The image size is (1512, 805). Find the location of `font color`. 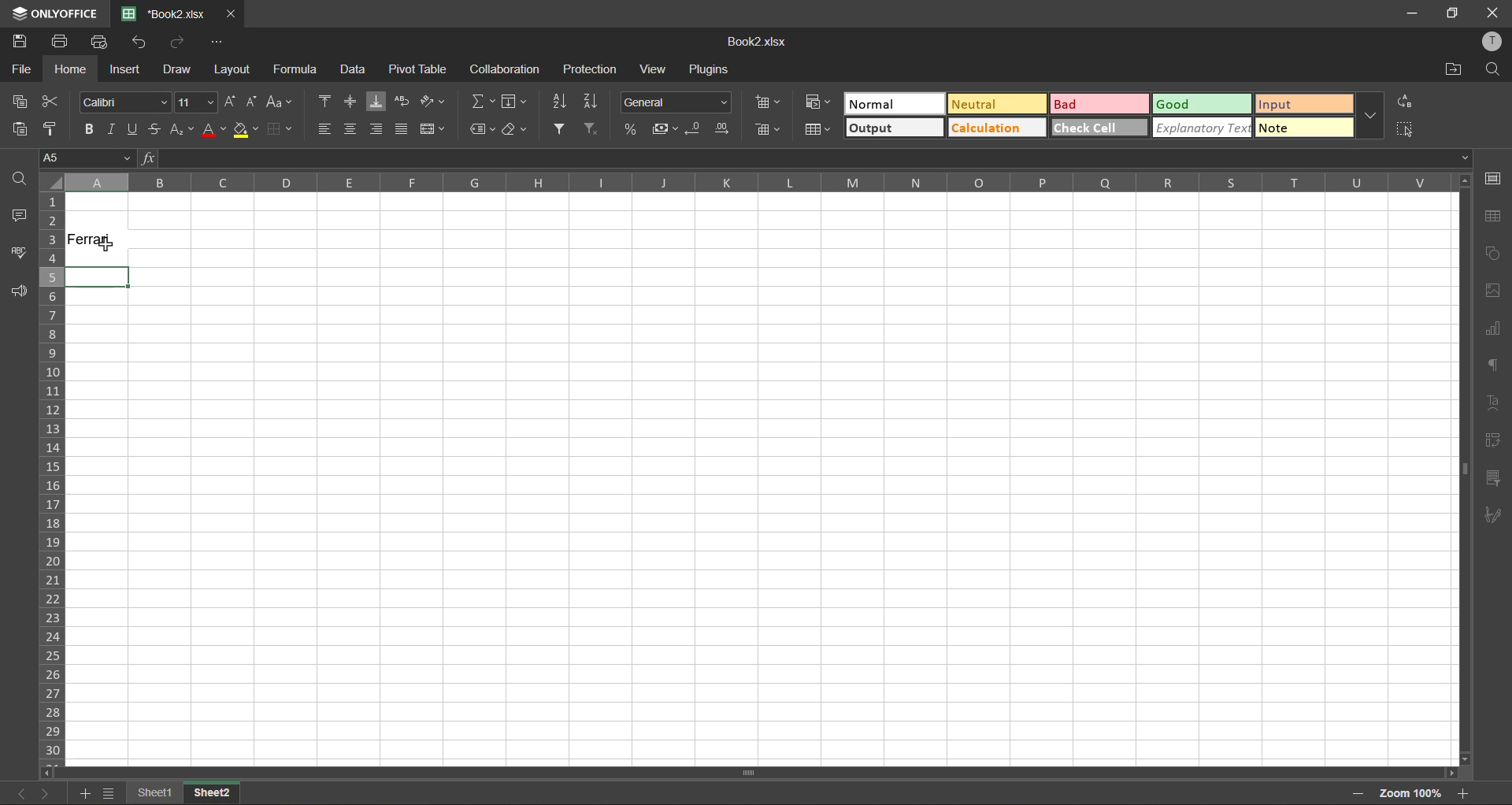

font color is located at coordinates (214, 130).